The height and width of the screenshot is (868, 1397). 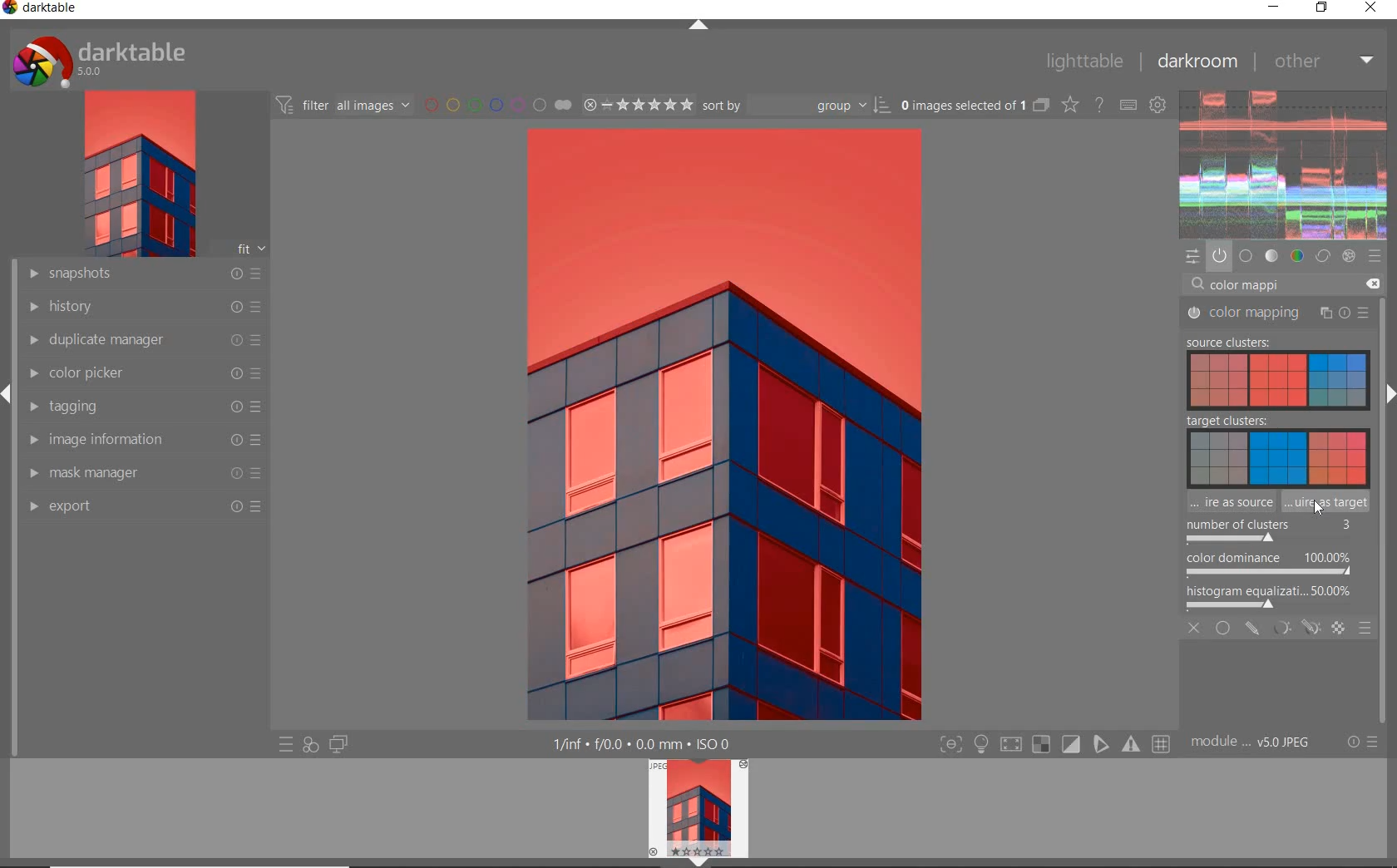 What do you see at coordinates (1194, 256) in the screenshot?
I see `quick access panel` at bounding box center [1194, 256].